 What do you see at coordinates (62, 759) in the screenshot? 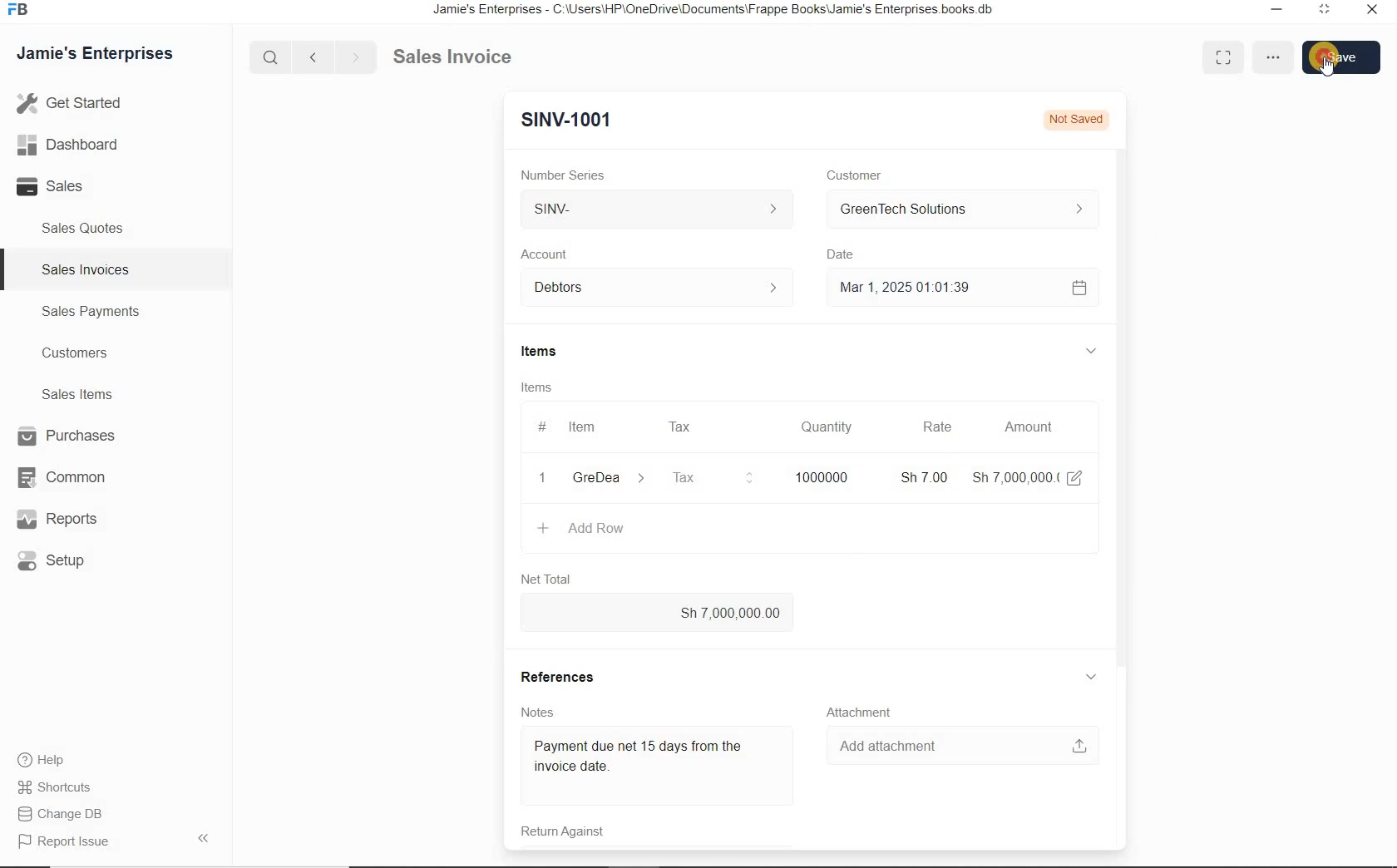
I see `) Help` at bounding box center [62, 759].